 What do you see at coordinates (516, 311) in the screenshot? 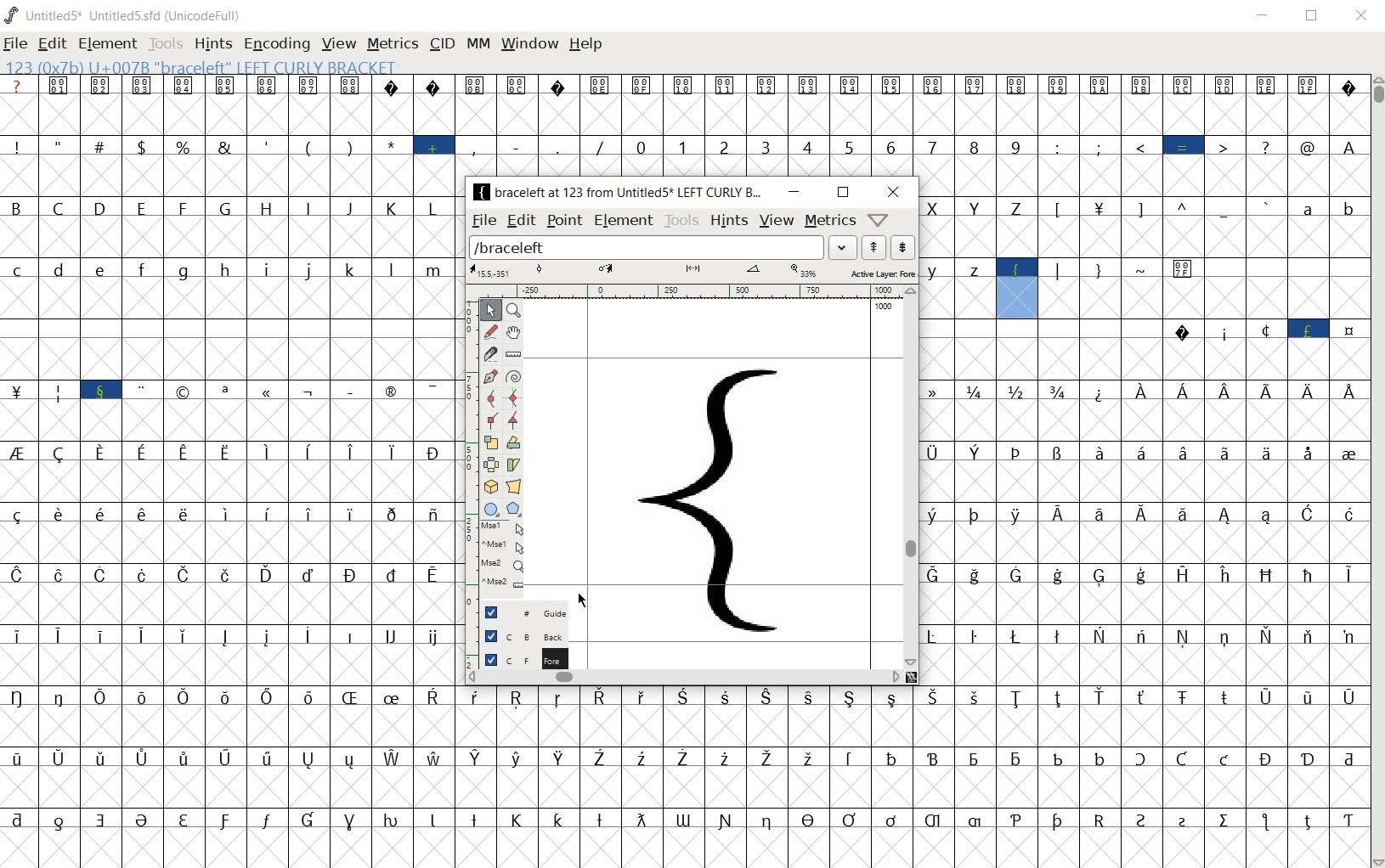
I see `MAGNIFY` at bounding box center [516, 311].